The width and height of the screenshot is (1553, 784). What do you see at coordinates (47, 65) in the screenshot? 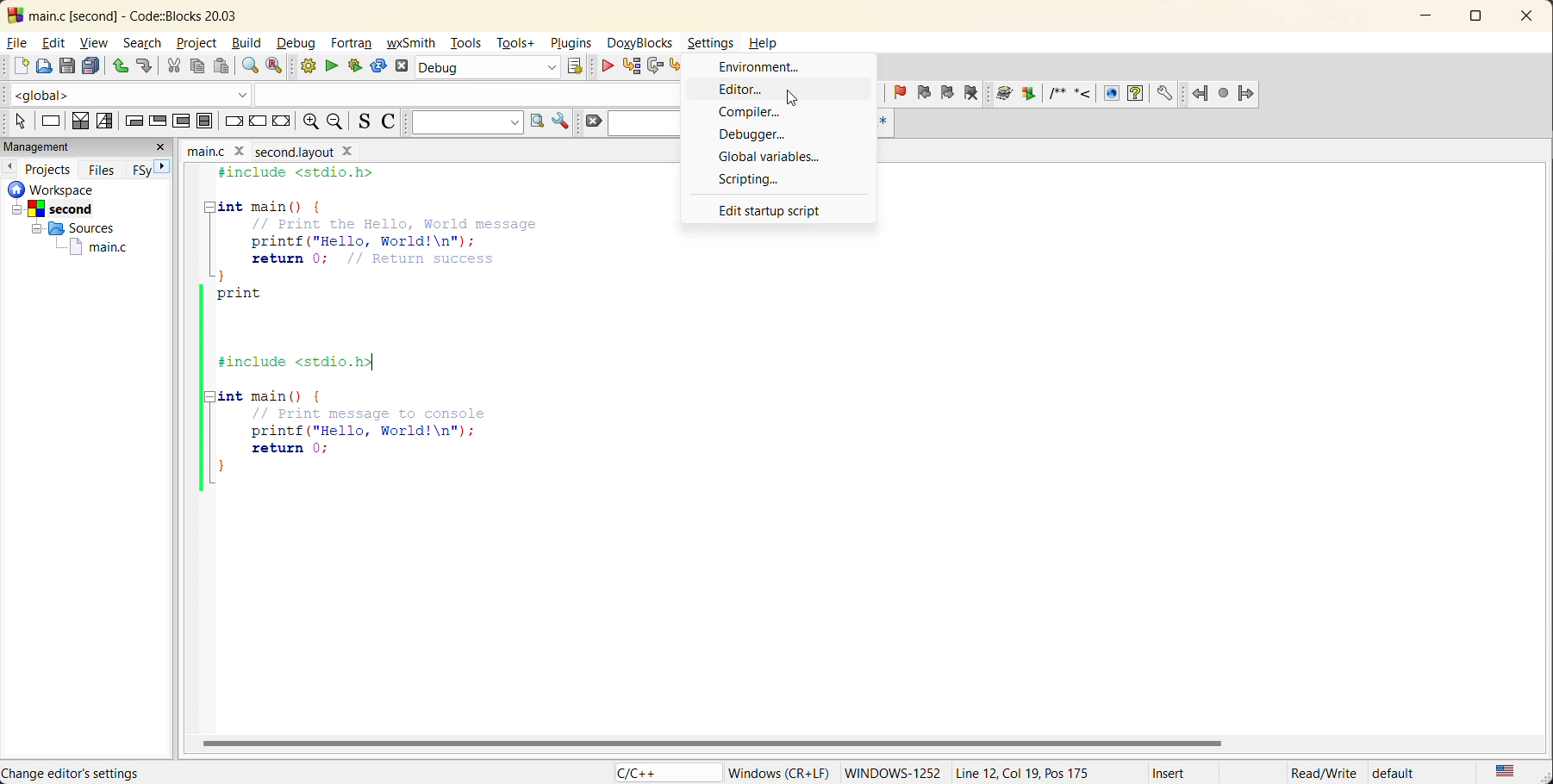
I see `open` at bounding box center [47, 65].